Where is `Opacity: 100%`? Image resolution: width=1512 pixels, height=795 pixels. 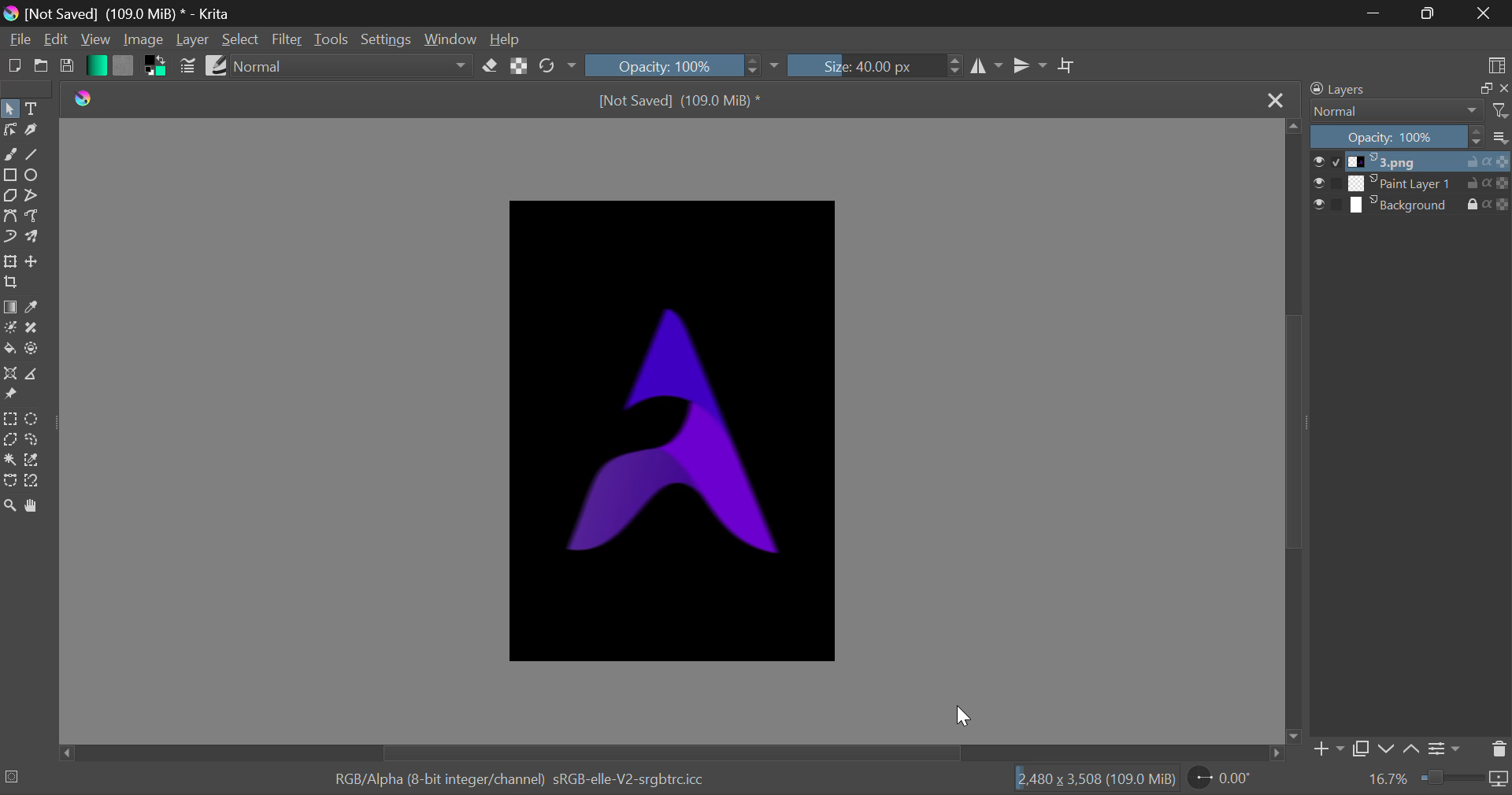
Opacity: 100% is located at coordinates (661, 65).